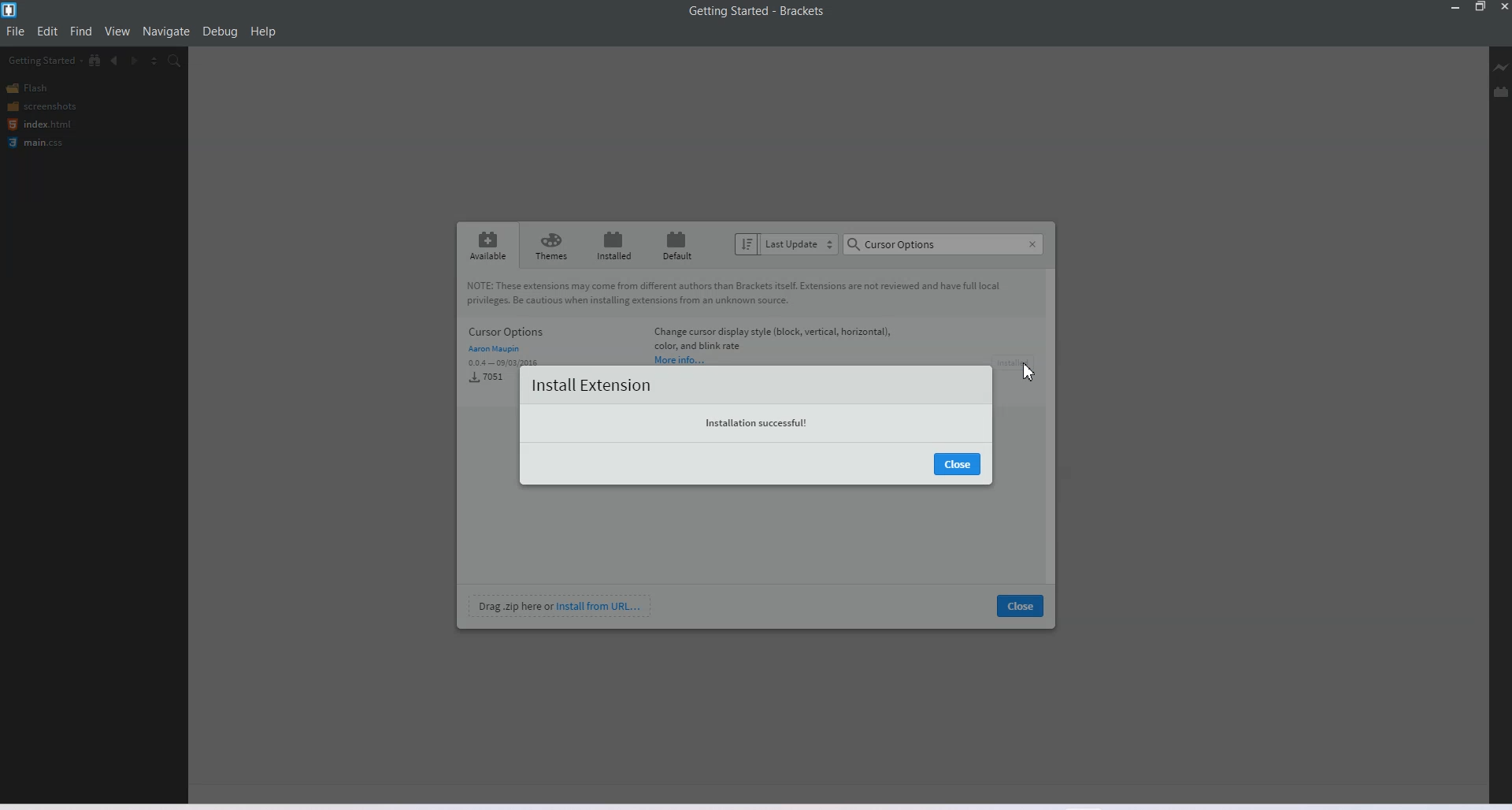 This screenshot has height=810, width=1512. Describe the element at coordinates (754, 425) in the screenshot. I see `installation successful` at that location.